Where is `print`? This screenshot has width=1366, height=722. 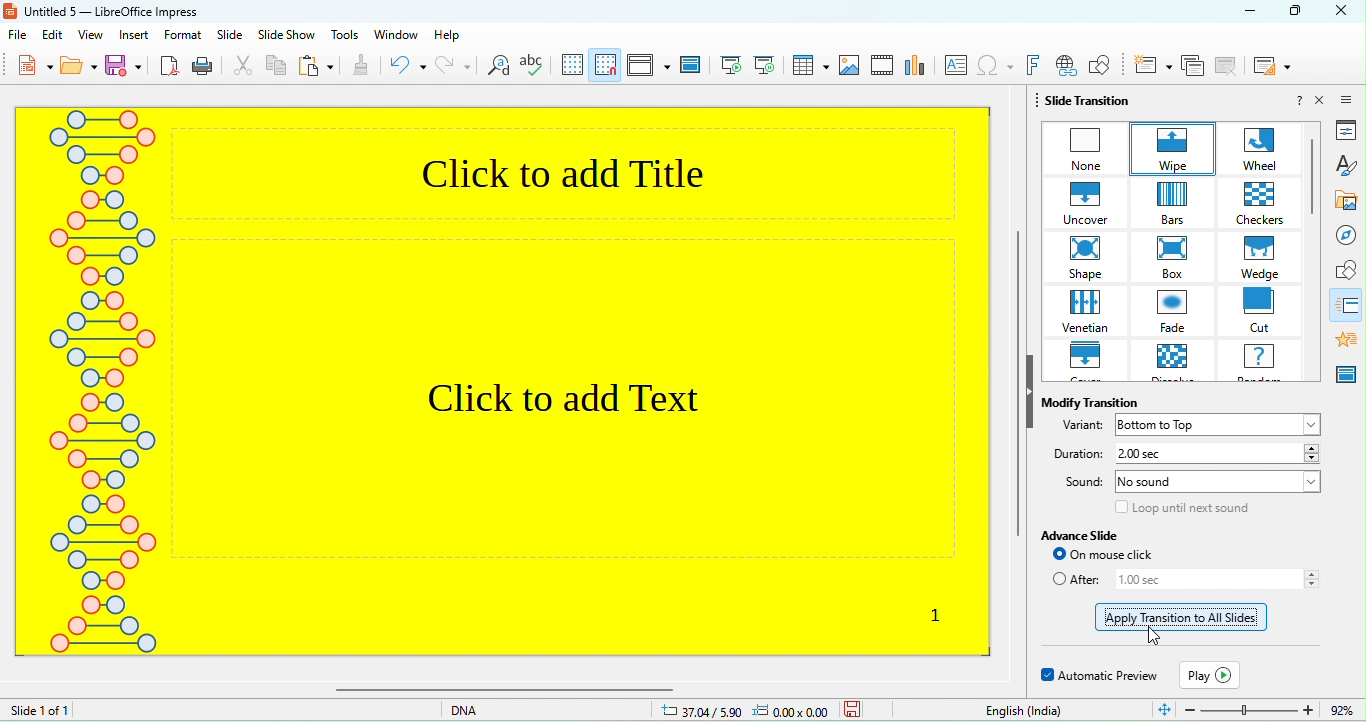 print is located at coordinates (205, 68).